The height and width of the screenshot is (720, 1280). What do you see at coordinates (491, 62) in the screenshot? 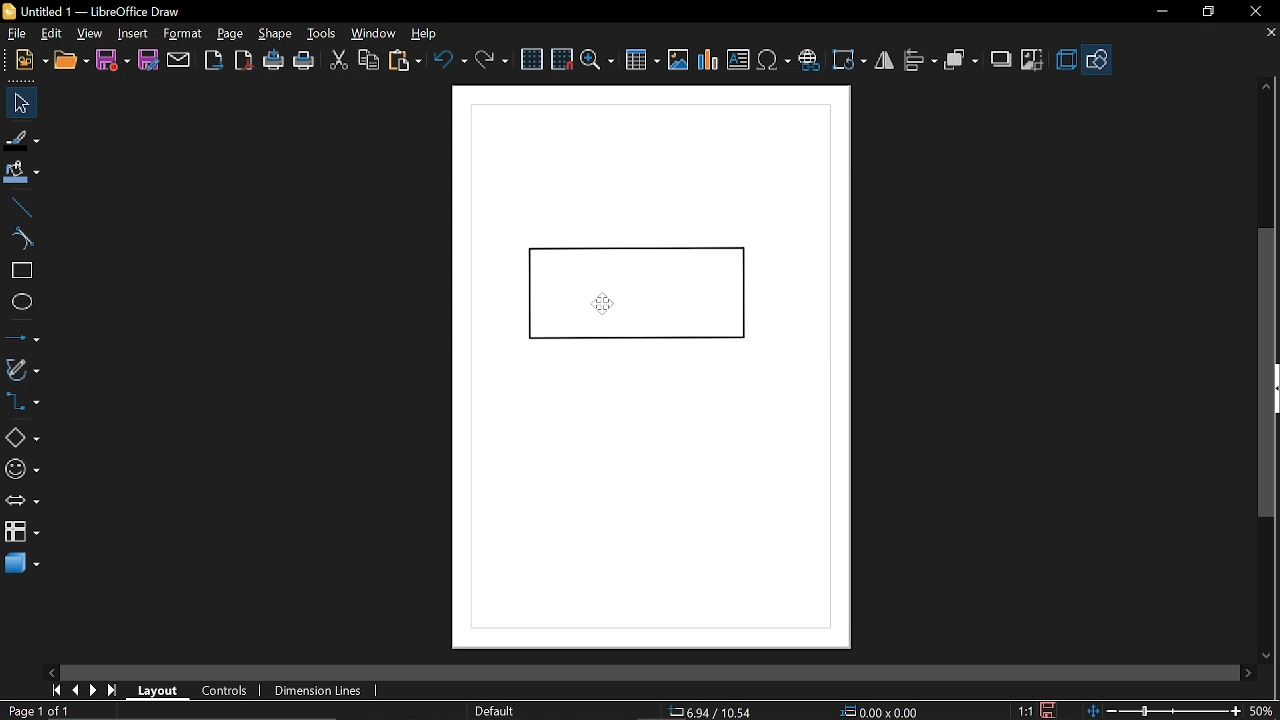
I see `redo` at bounding box center [491, 62].